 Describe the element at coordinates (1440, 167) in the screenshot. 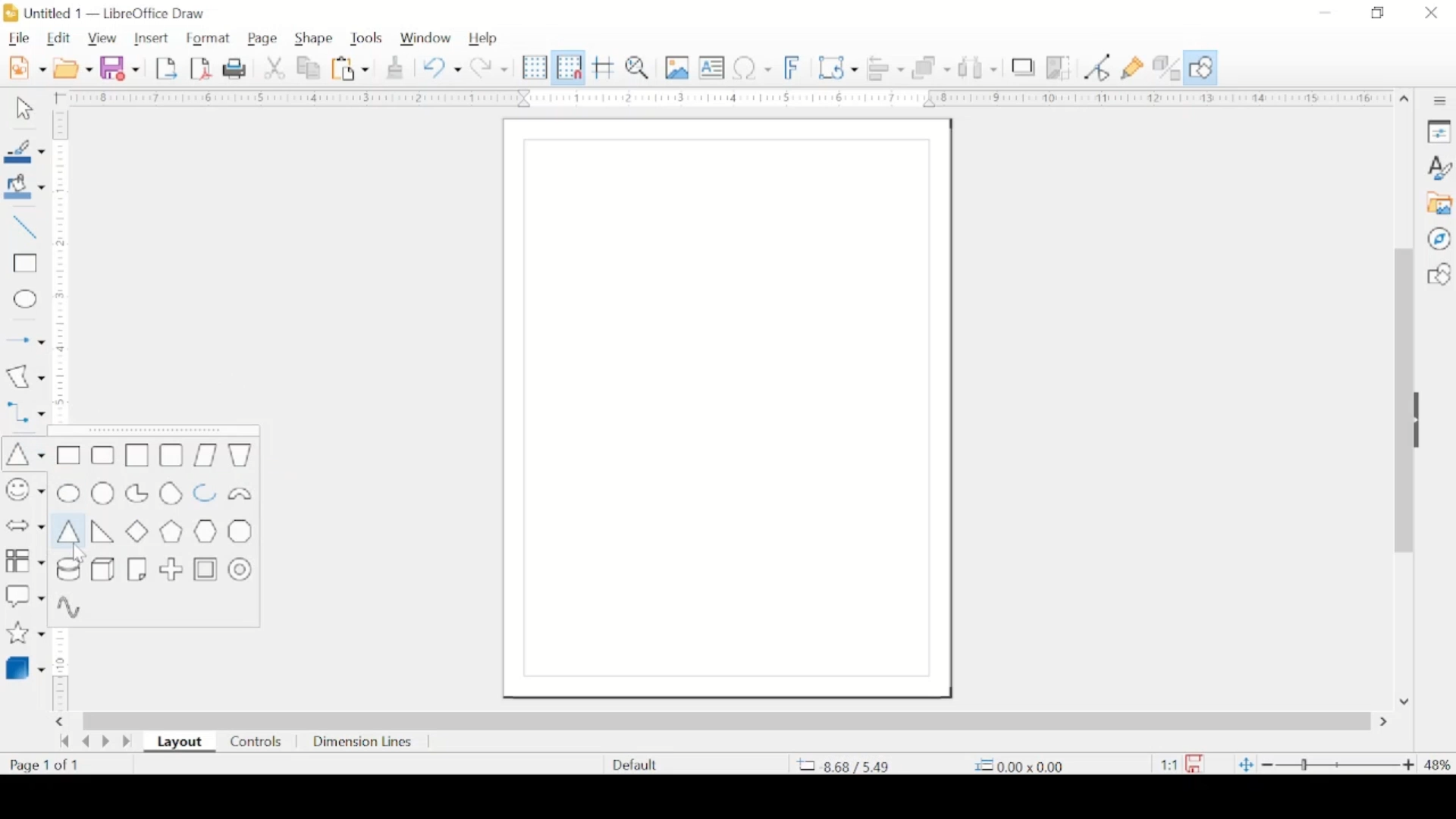

I see `styles` at that location.